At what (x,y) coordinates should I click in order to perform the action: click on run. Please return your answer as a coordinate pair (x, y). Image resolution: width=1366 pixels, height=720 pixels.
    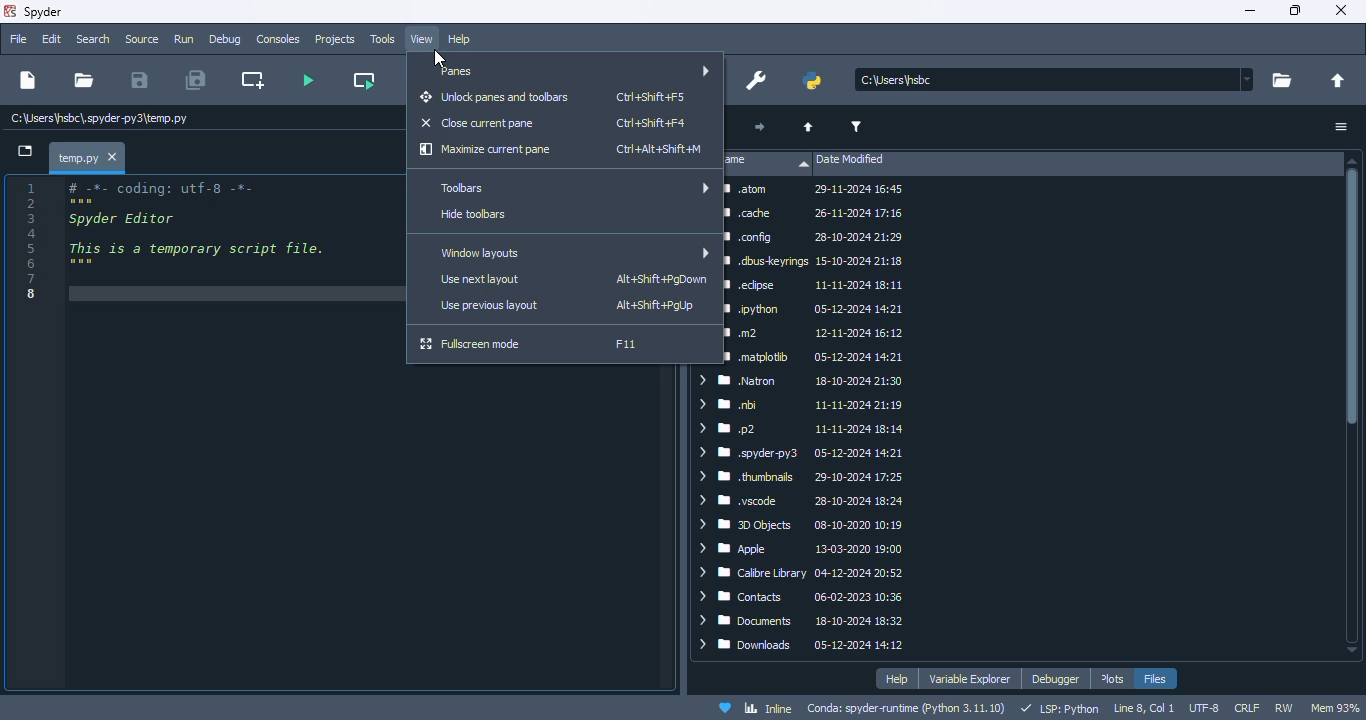
    Looking at the image, I should click on (184, 40).